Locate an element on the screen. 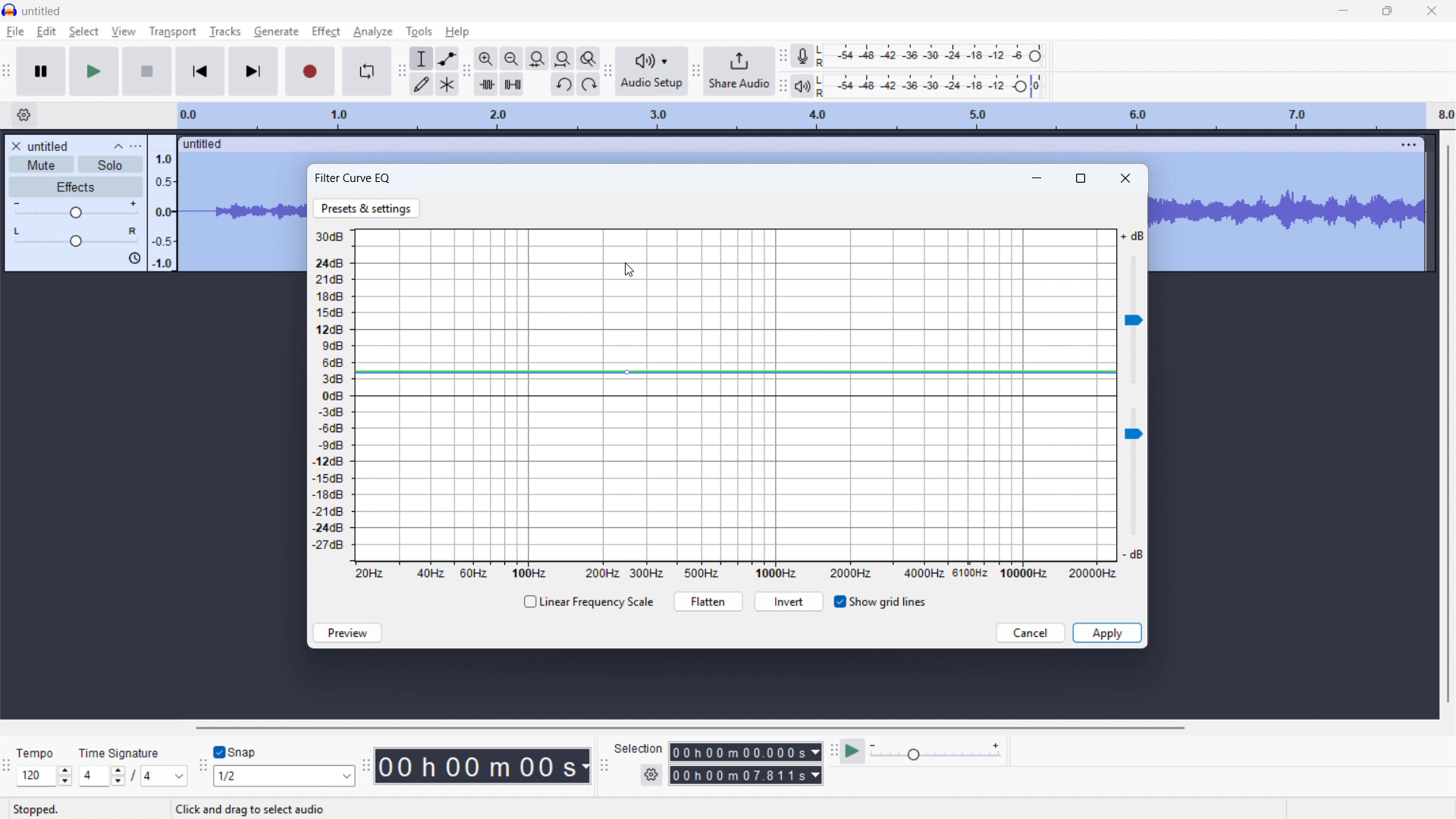 This screenshot has width=1456, height=819. close  is located at coordinates (1430, 11).